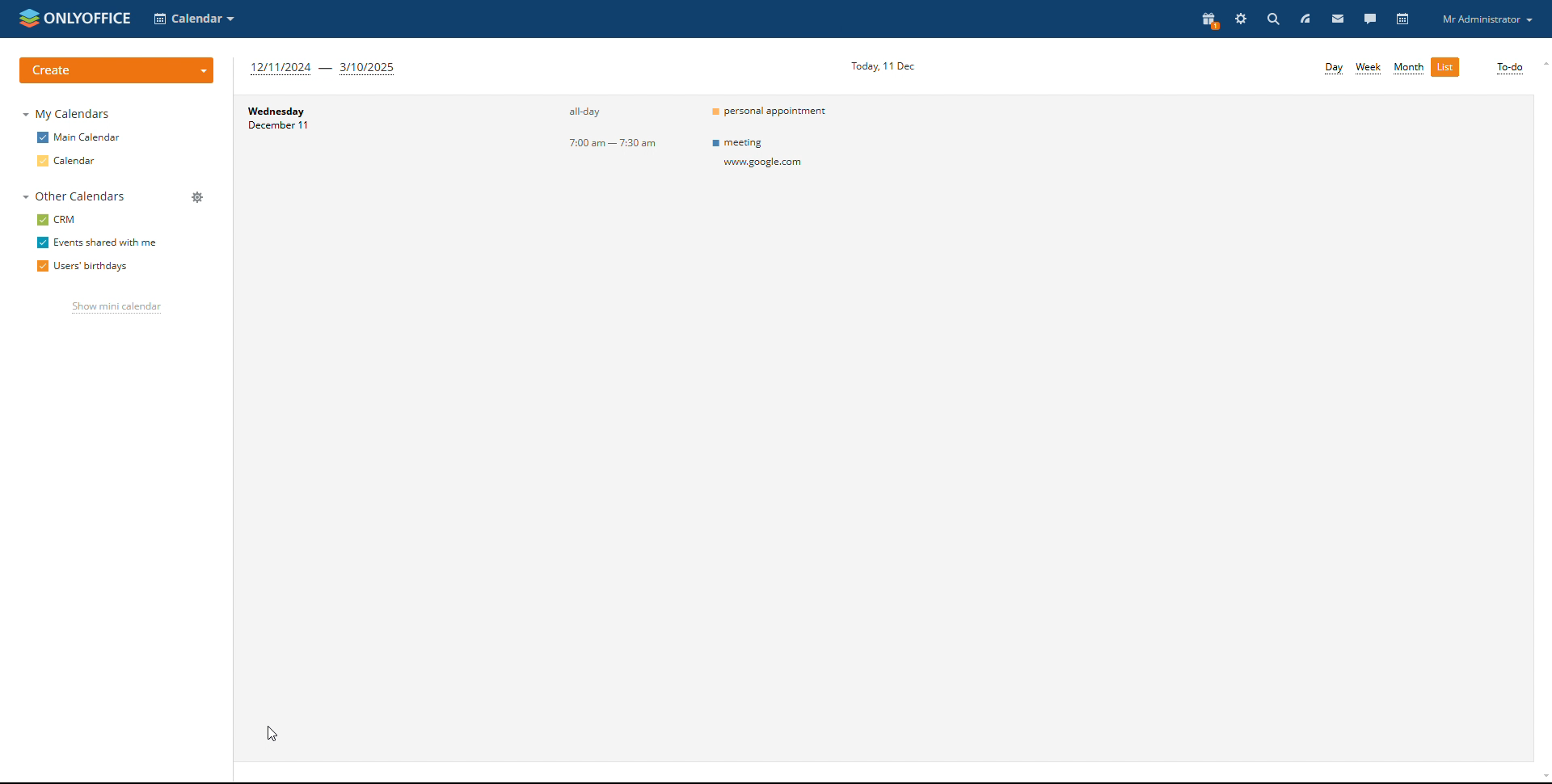 This screenshot has height=784, width=1552. Describe the element at coordinates (116, 70) in the screenshot. I see `create` at that location.